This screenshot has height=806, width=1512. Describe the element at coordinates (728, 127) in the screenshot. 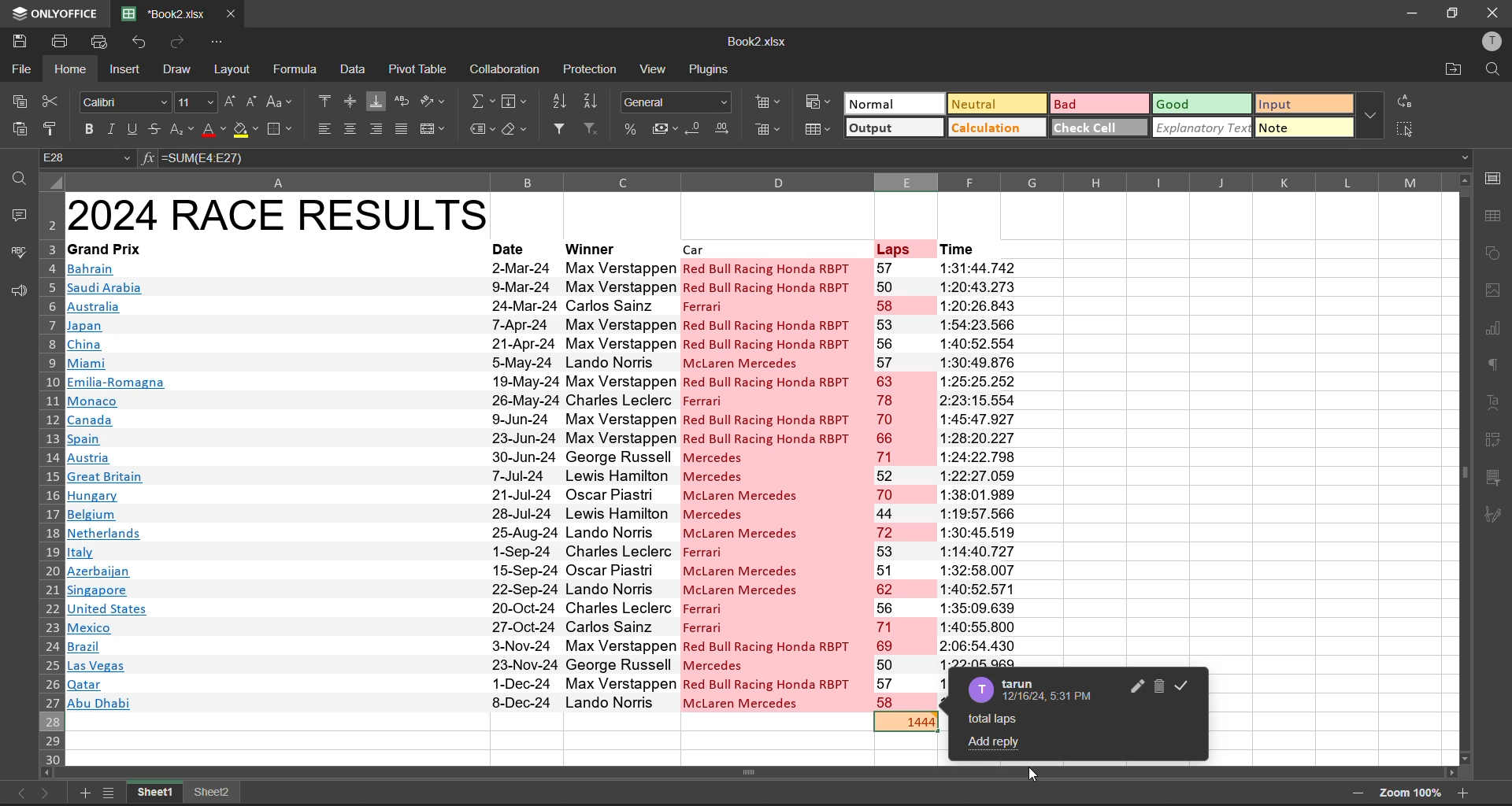

I see `increase decimal` at that location.